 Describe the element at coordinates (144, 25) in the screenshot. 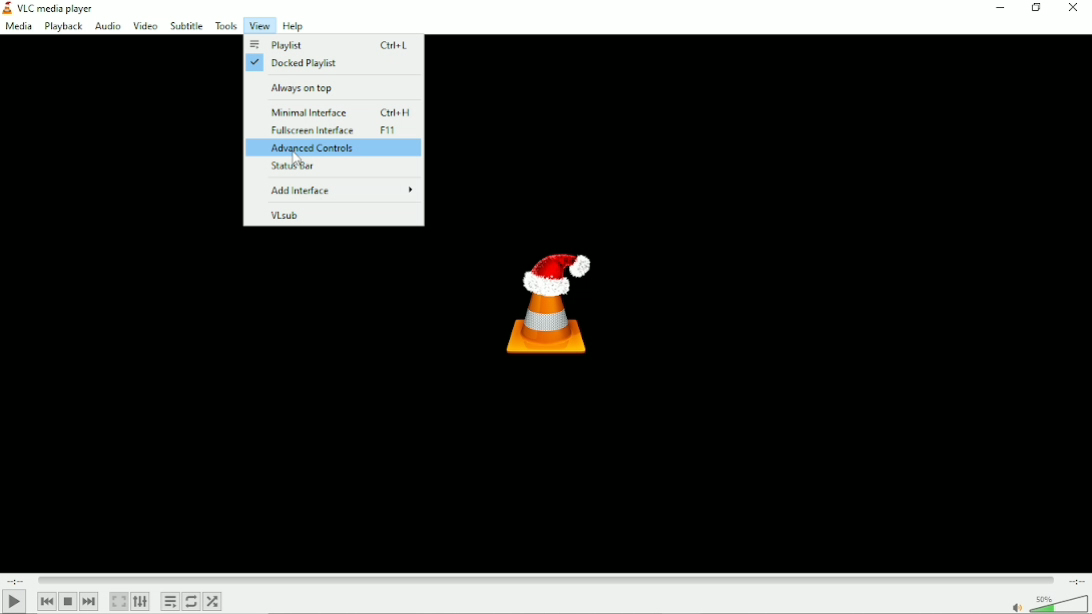

I see `Video` at that location.